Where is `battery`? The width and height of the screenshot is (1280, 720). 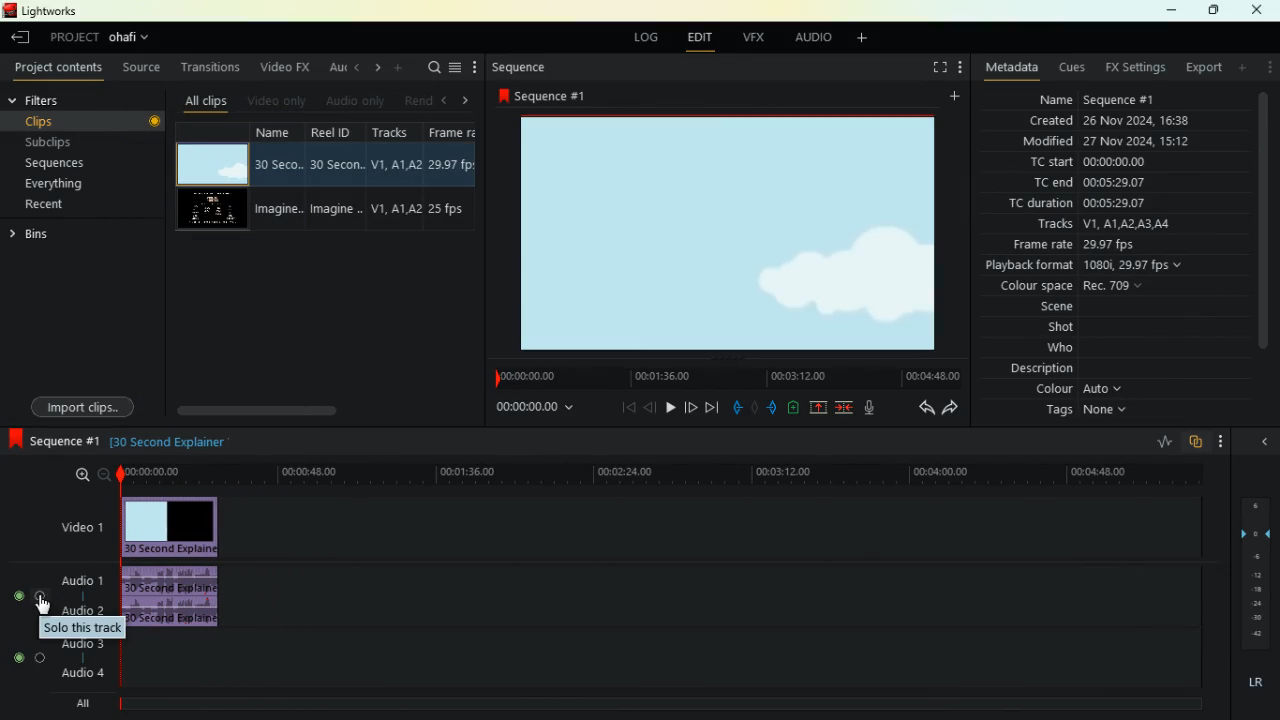 battery is located at coordinates (794, 409).